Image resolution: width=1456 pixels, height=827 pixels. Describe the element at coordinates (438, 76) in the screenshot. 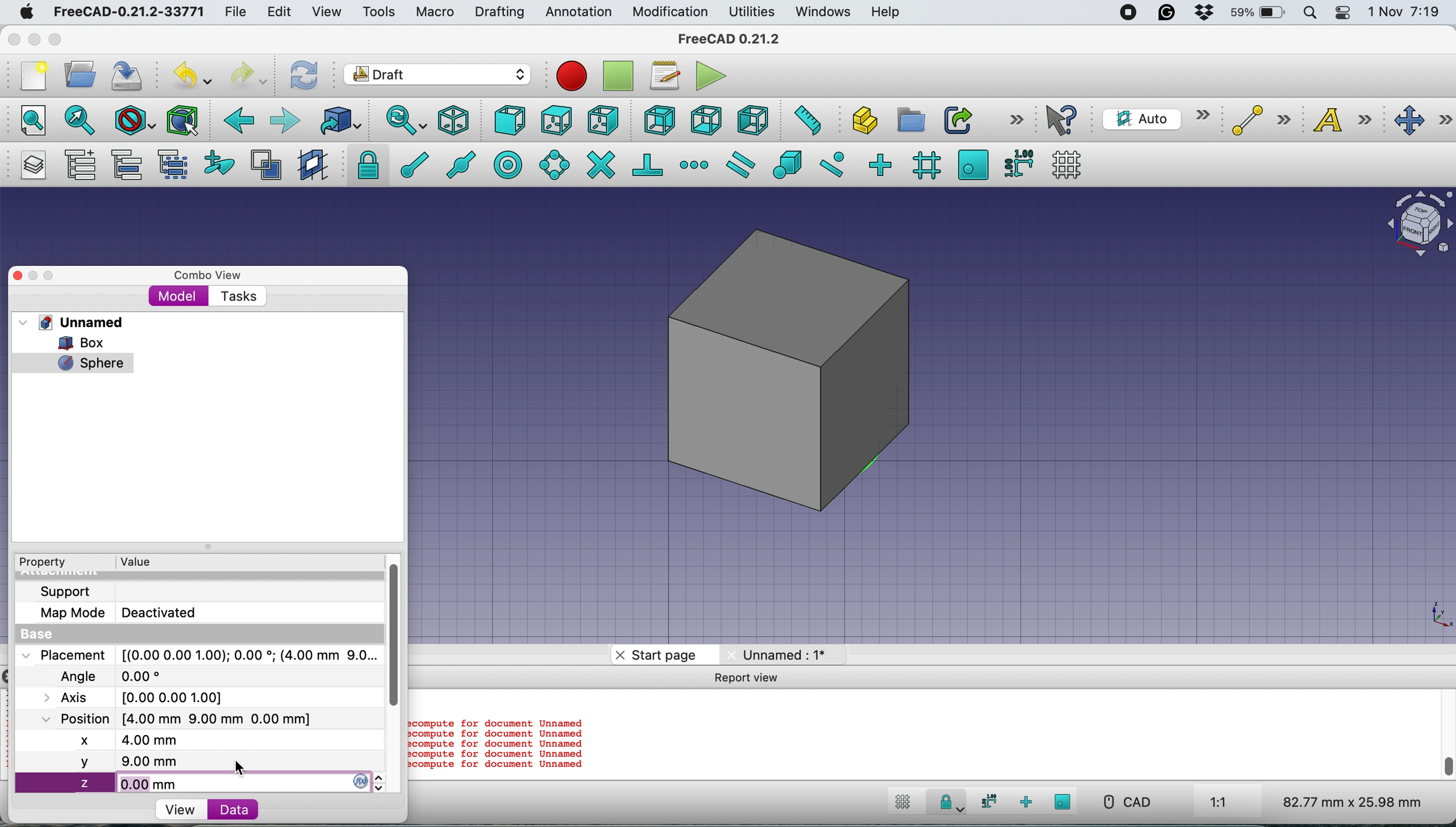

I see `workbench` at that location.